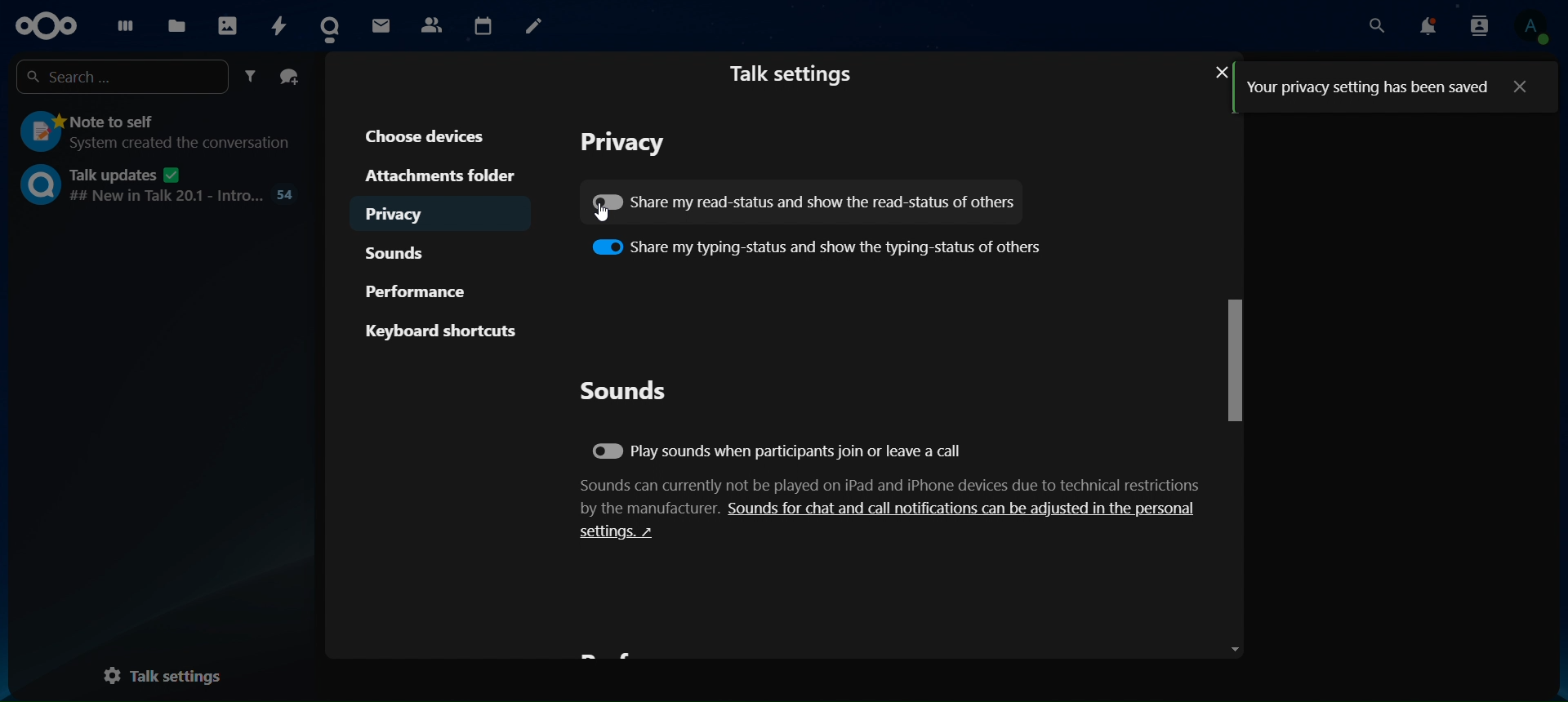 Image resolution: width=1568 pixels, height=702 pixels. What do you see at coordinates (437, 174) in the screenshot?
I see `attachments folder` at bounding box center [437, 174].